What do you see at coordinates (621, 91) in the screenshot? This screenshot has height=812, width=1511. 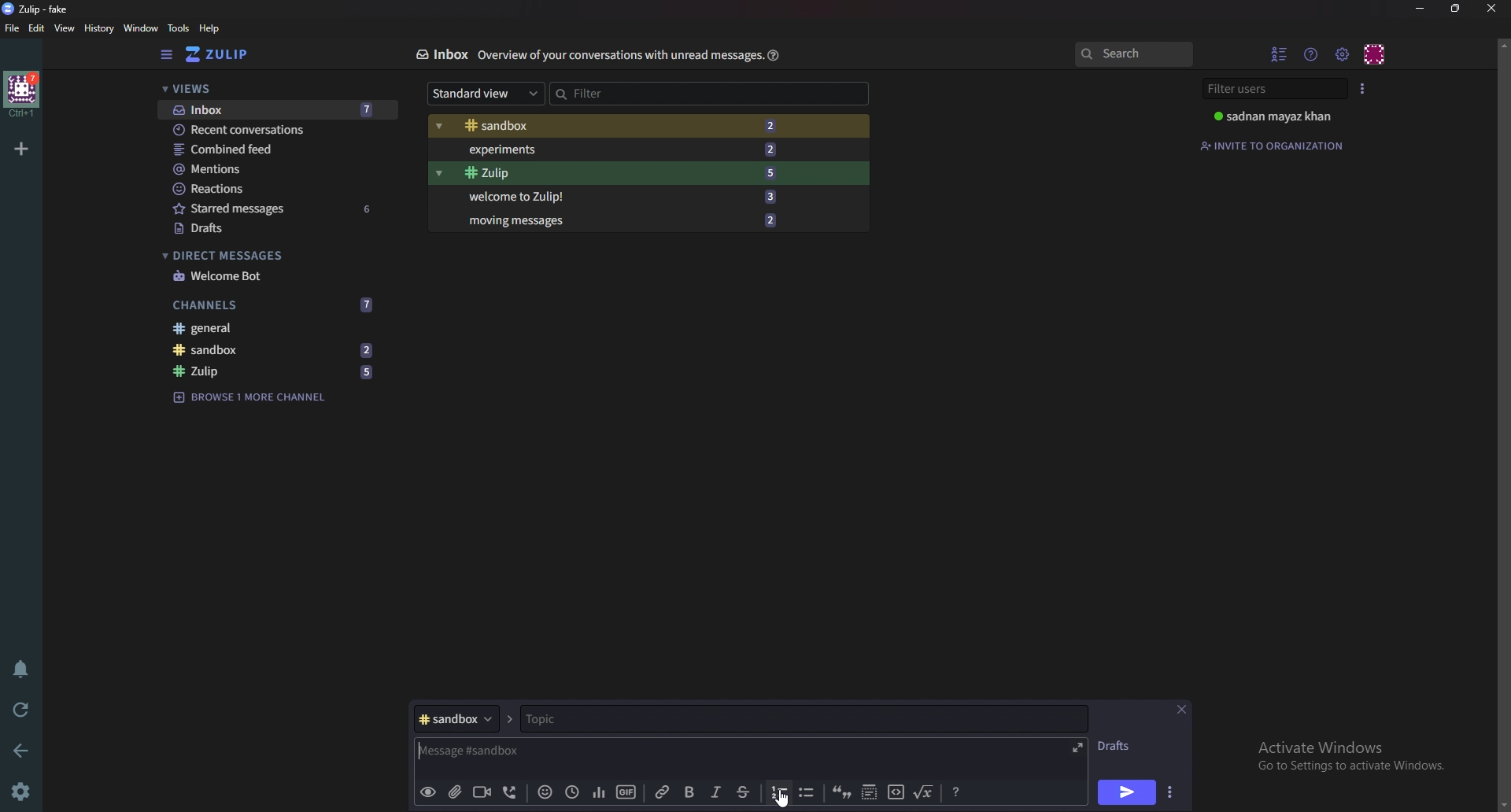 I see `Filter` at bounding box center [621, 91].